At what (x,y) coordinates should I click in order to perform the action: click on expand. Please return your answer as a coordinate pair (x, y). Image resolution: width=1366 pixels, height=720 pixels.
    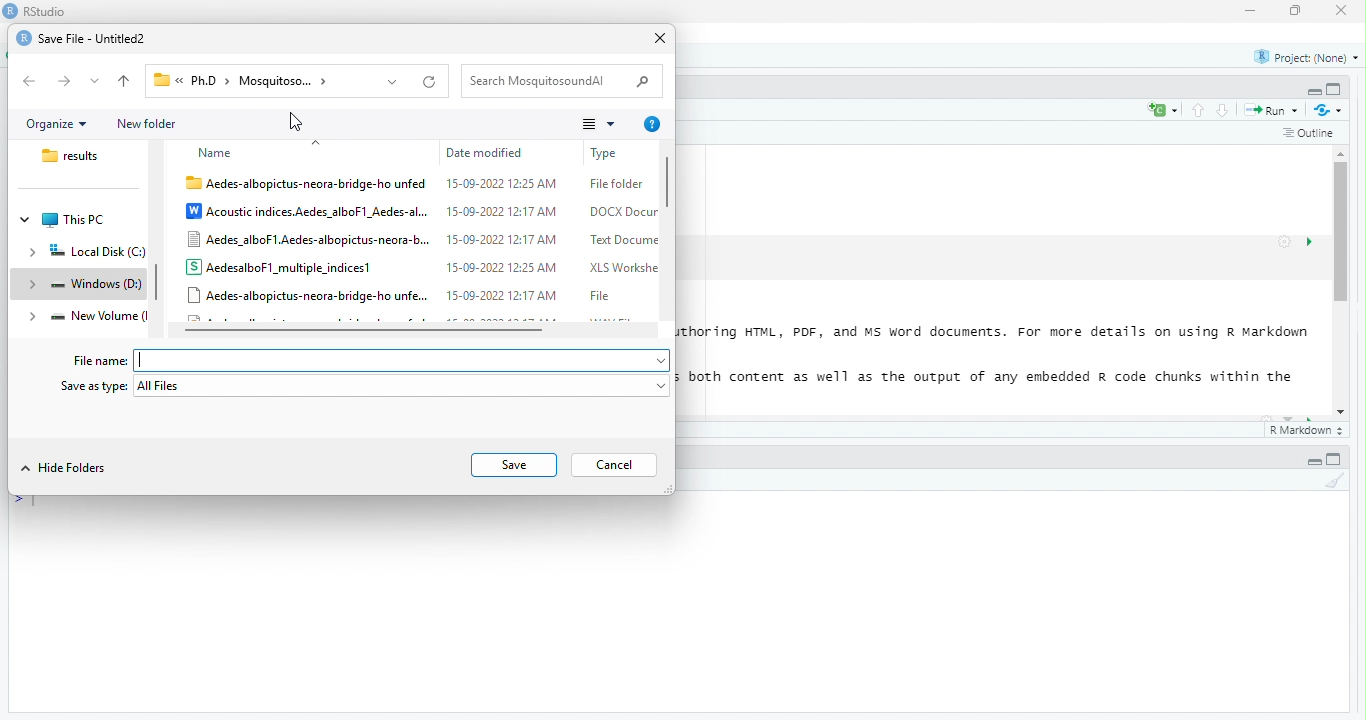
    Looking at the image, I should click on (33, 254).